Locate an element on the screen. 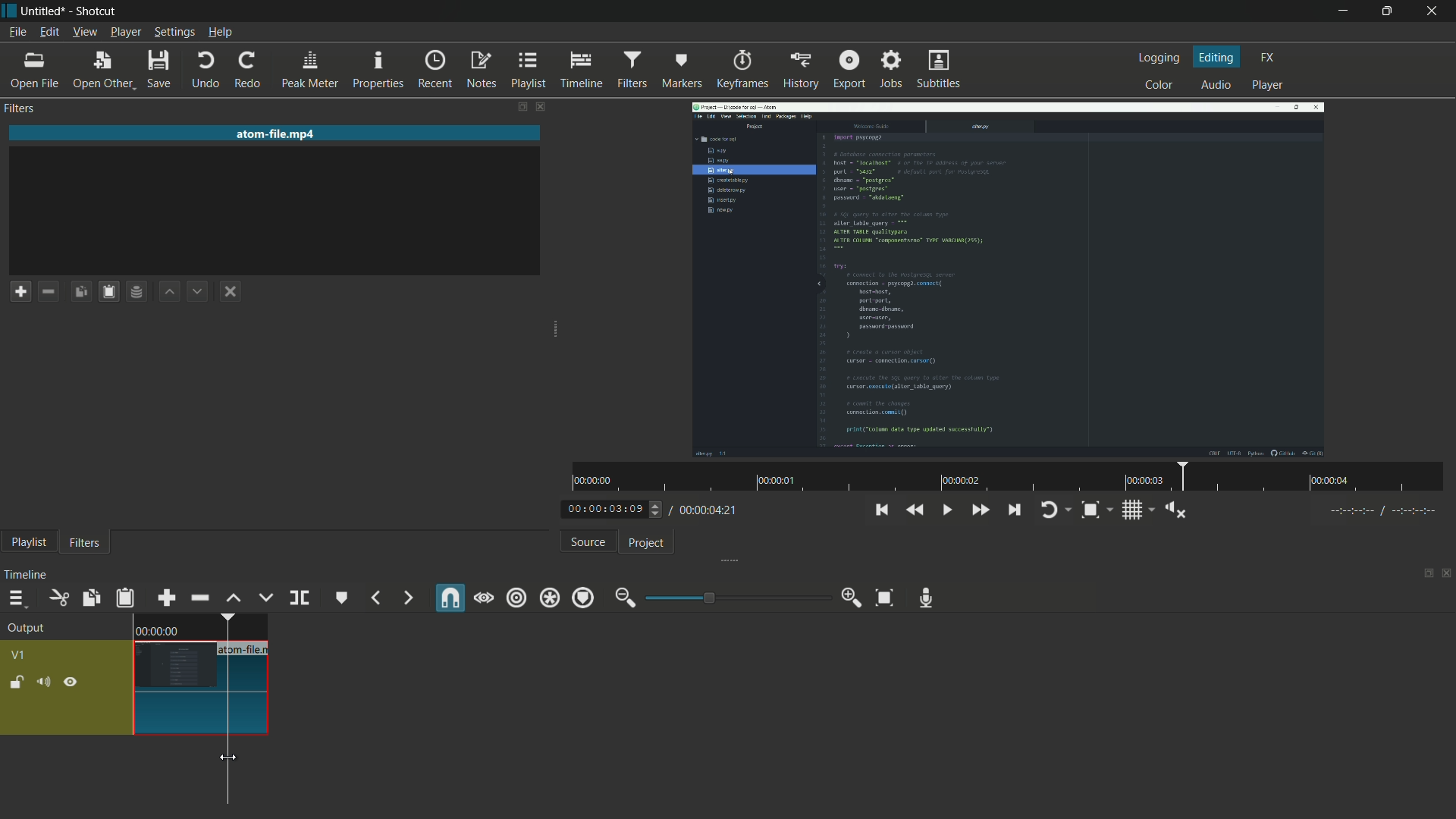 The width and height of the screenshot is (1456, 819). overwrite is located at coordinates (267, 596).